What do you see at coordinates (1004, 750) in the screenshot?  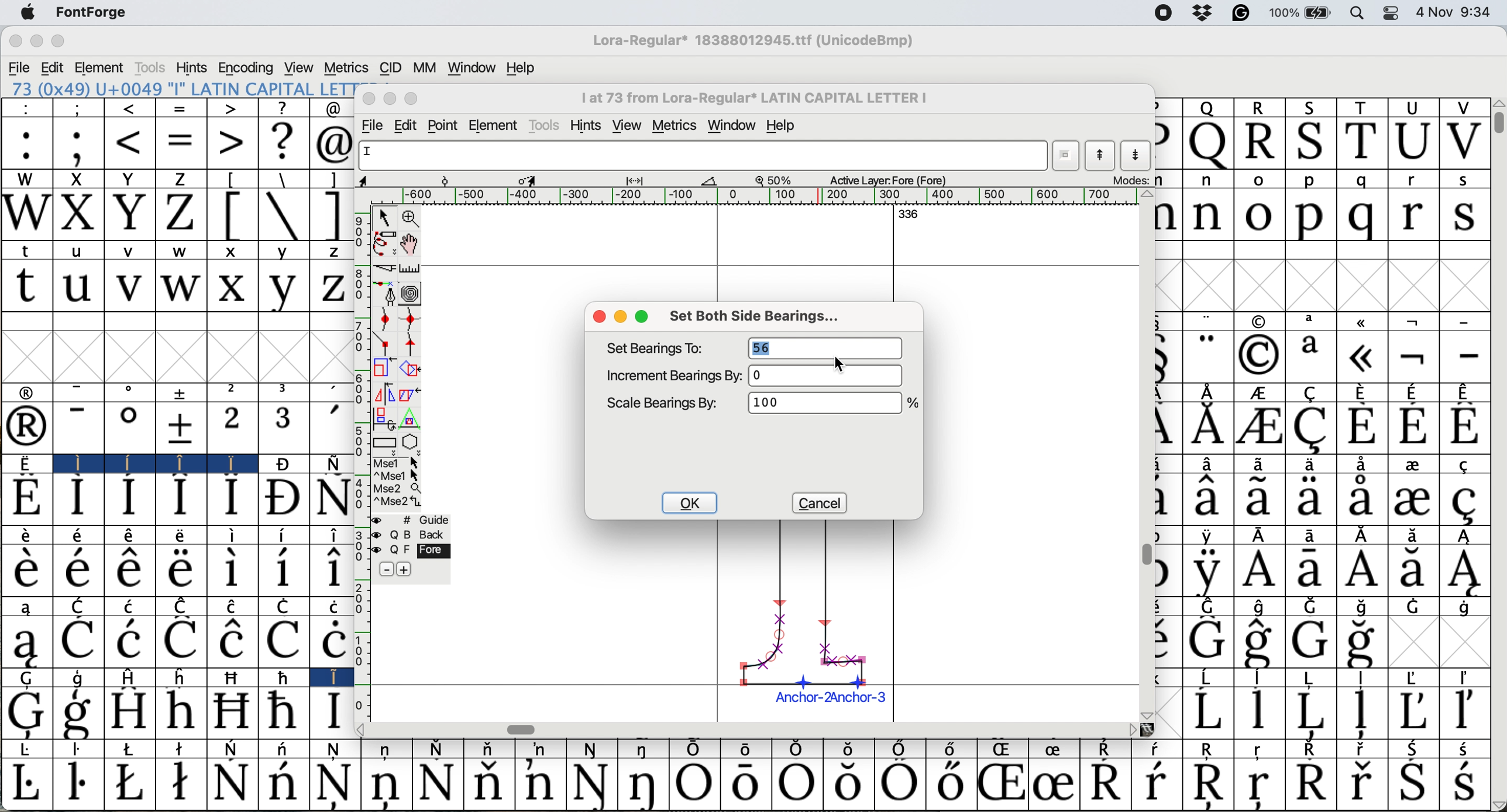 I see `Symbol` at bounding box center [1004, 750].